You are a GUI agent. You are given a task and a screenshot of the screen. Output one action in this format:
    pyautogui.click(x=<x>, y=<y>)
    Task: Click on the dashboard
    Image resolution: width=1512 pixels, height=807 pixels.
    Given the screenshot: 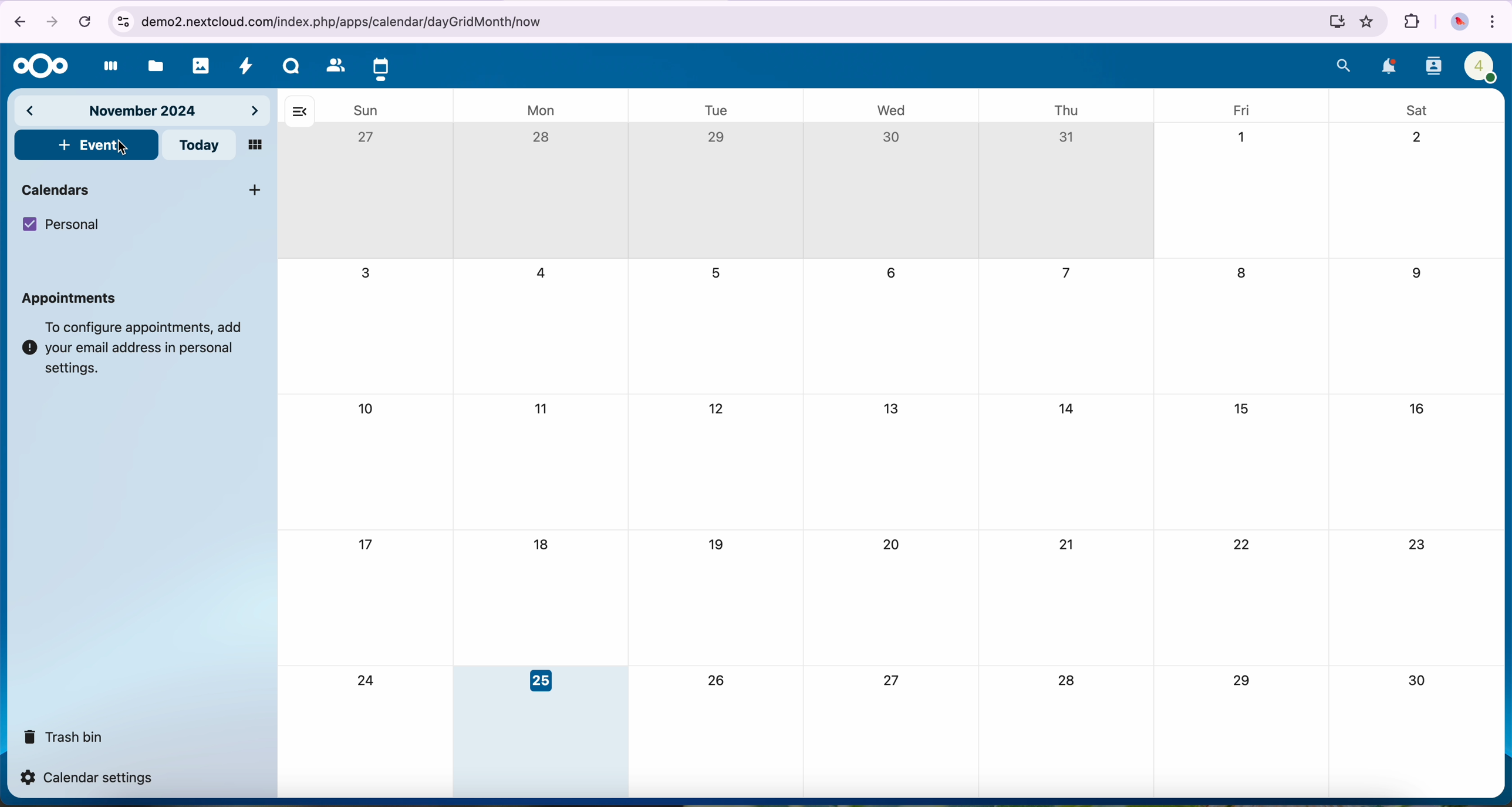 What is the action you would take?
    pyautogui.click(x=107, y=67)
    